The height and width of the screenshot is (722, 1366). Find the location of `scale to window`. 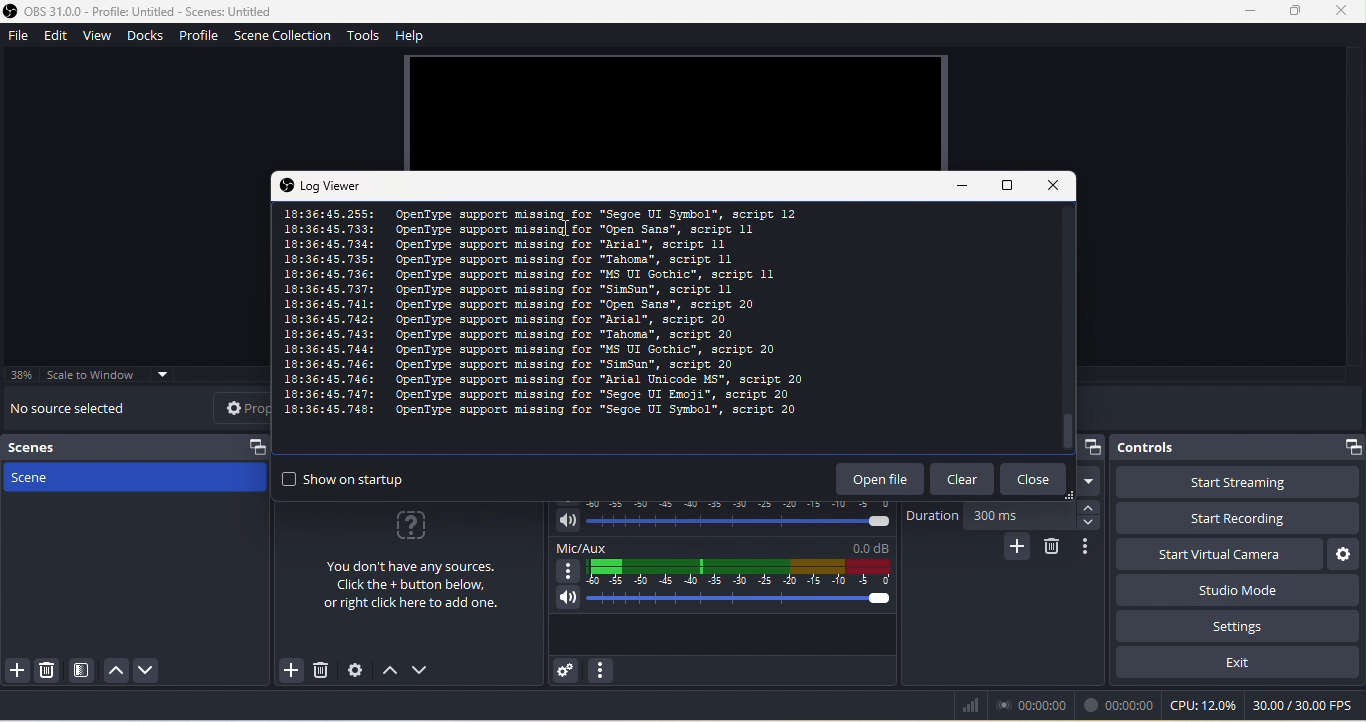

scale to window is located at coordinates (120, 376).